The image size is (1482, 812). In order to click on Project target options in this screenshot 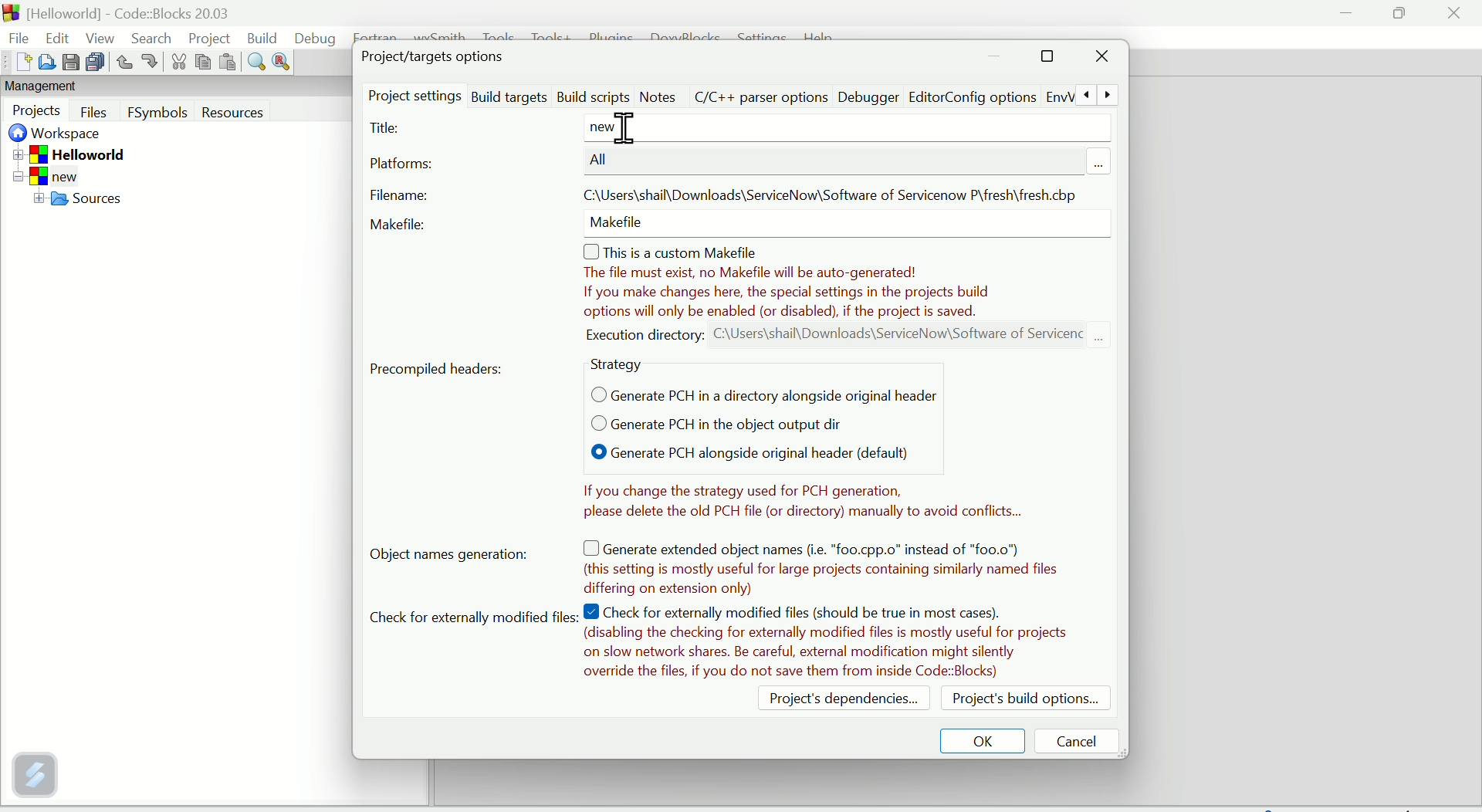, I will do `click(436, 56)`.